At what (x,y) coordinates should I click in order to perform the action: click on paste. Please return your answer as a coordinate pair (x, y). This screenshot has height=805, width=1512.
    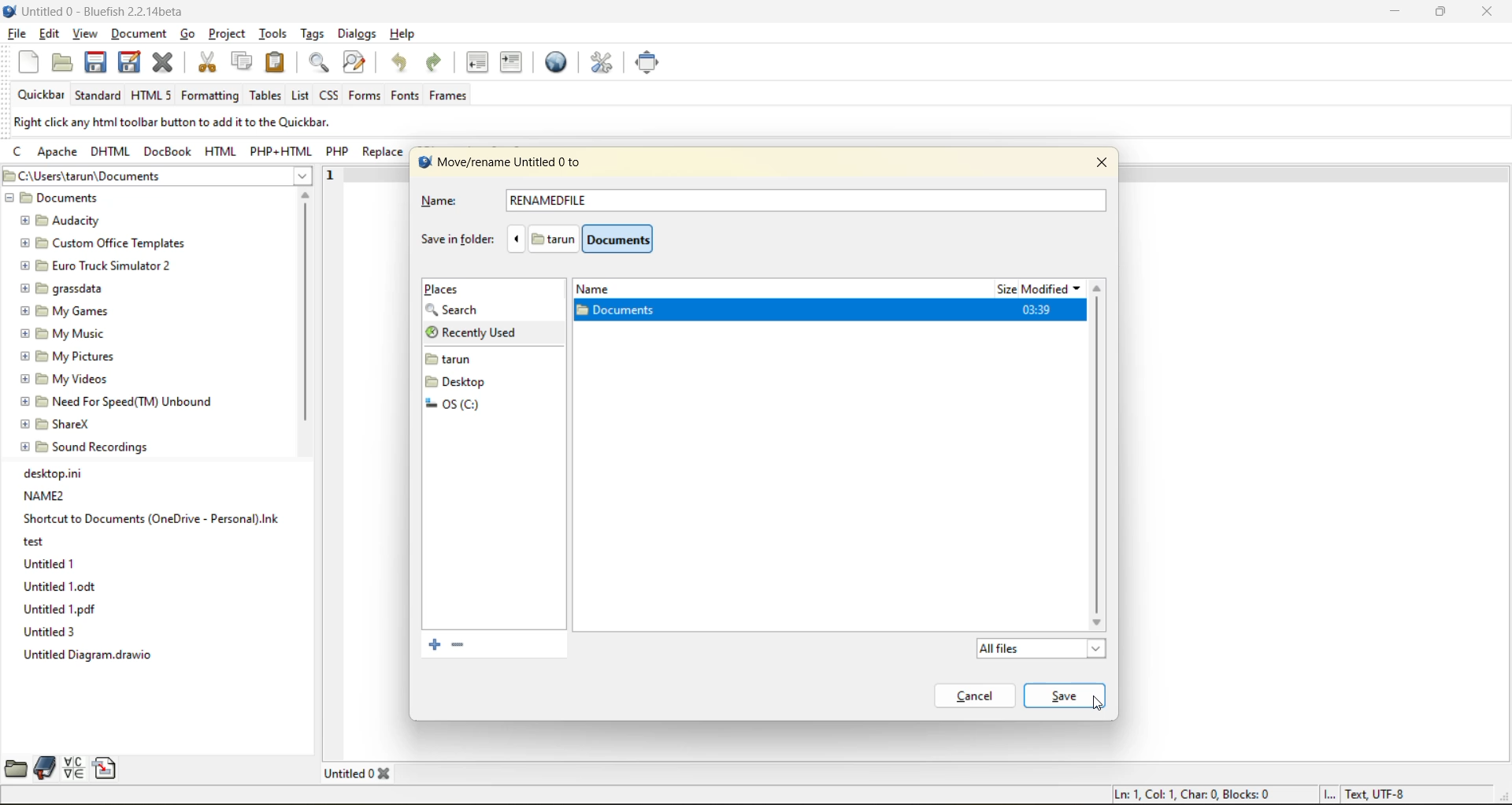
    Looking at the image, I should click on (277, 62).